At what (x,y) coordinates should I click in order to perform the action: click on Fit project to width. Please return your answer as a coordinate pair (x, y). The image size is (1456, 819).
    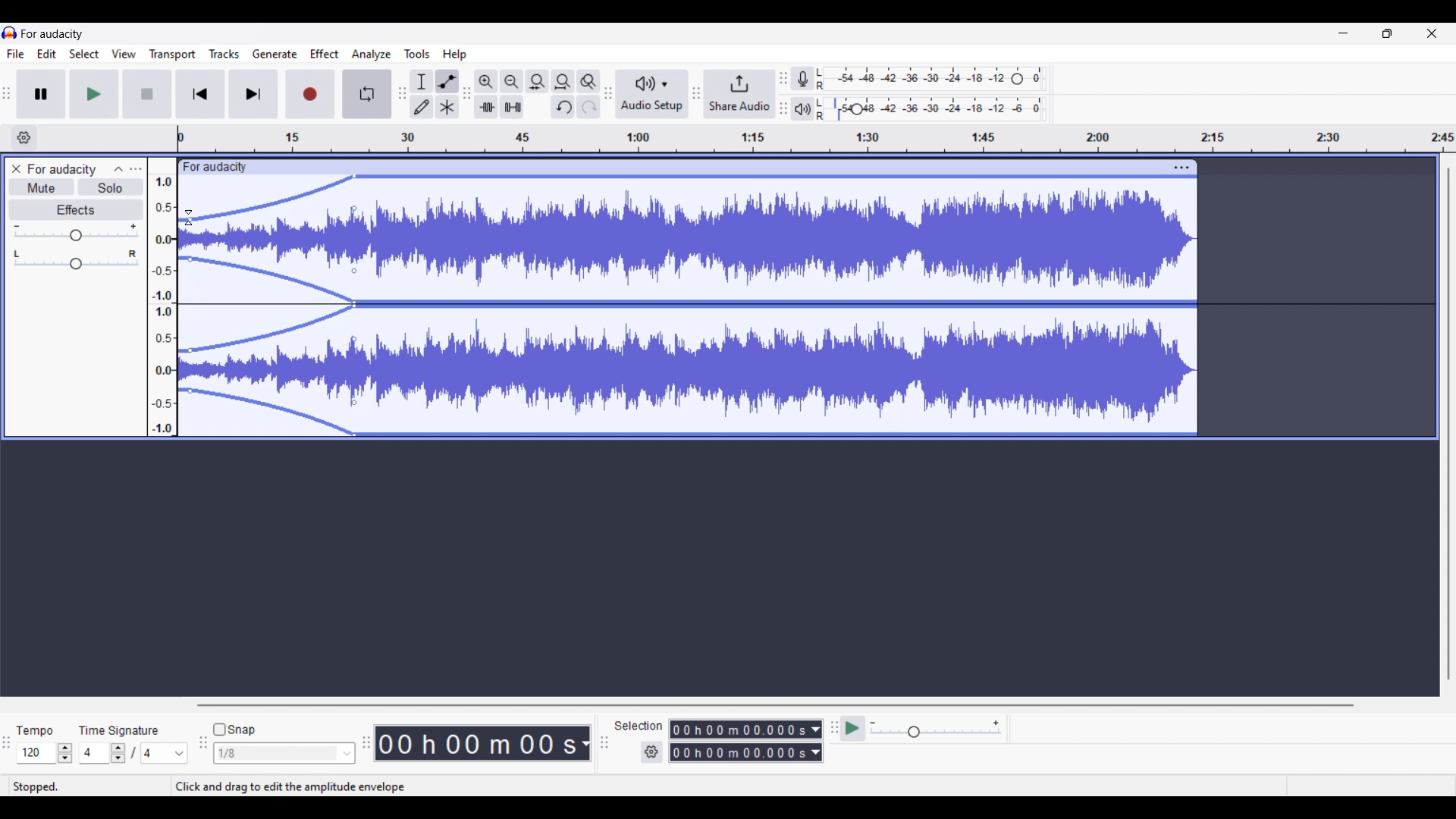
    Looking at the image, I should click on (564, 81).